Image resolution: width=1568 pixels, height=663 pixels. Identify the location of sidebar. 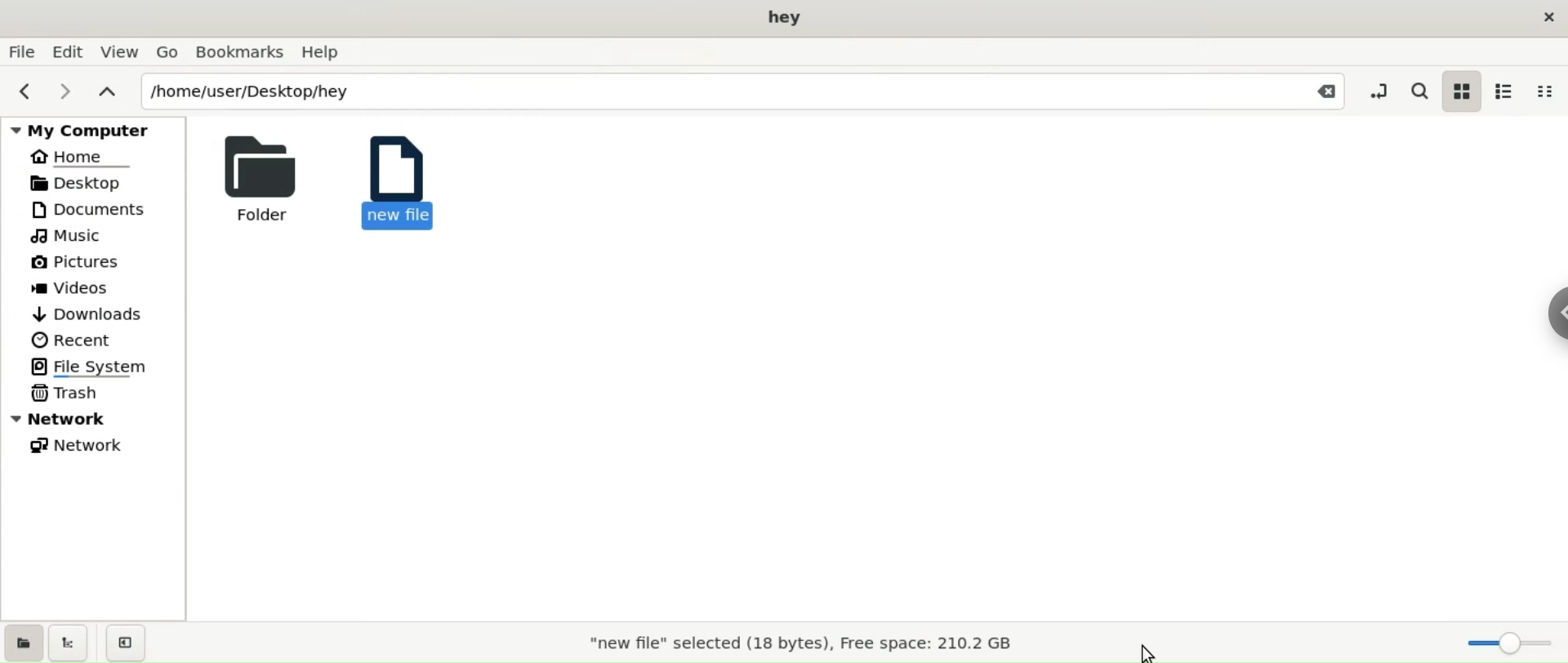
(1553, 309).